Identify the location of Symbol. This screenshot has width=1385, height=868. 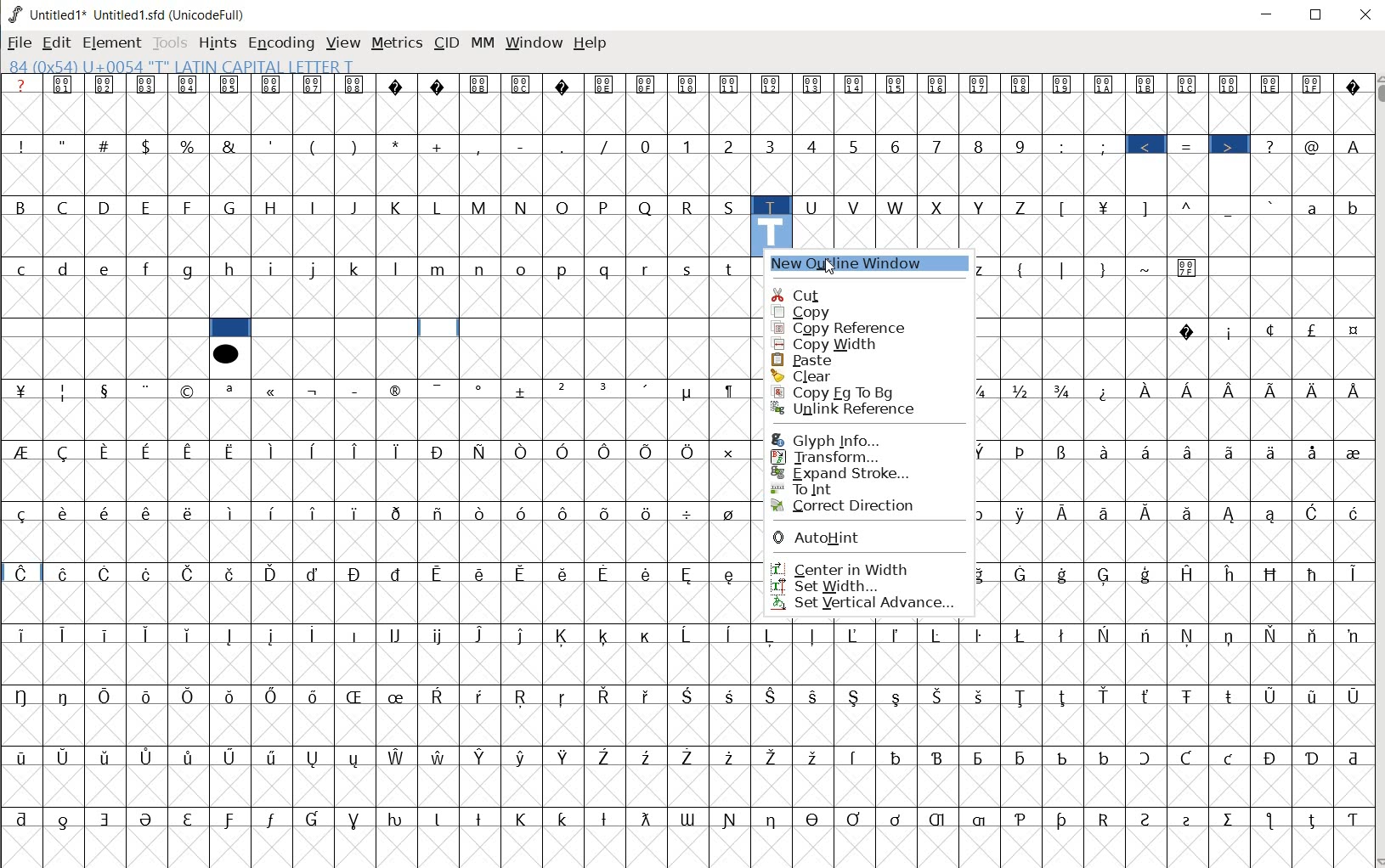
(107, 575).